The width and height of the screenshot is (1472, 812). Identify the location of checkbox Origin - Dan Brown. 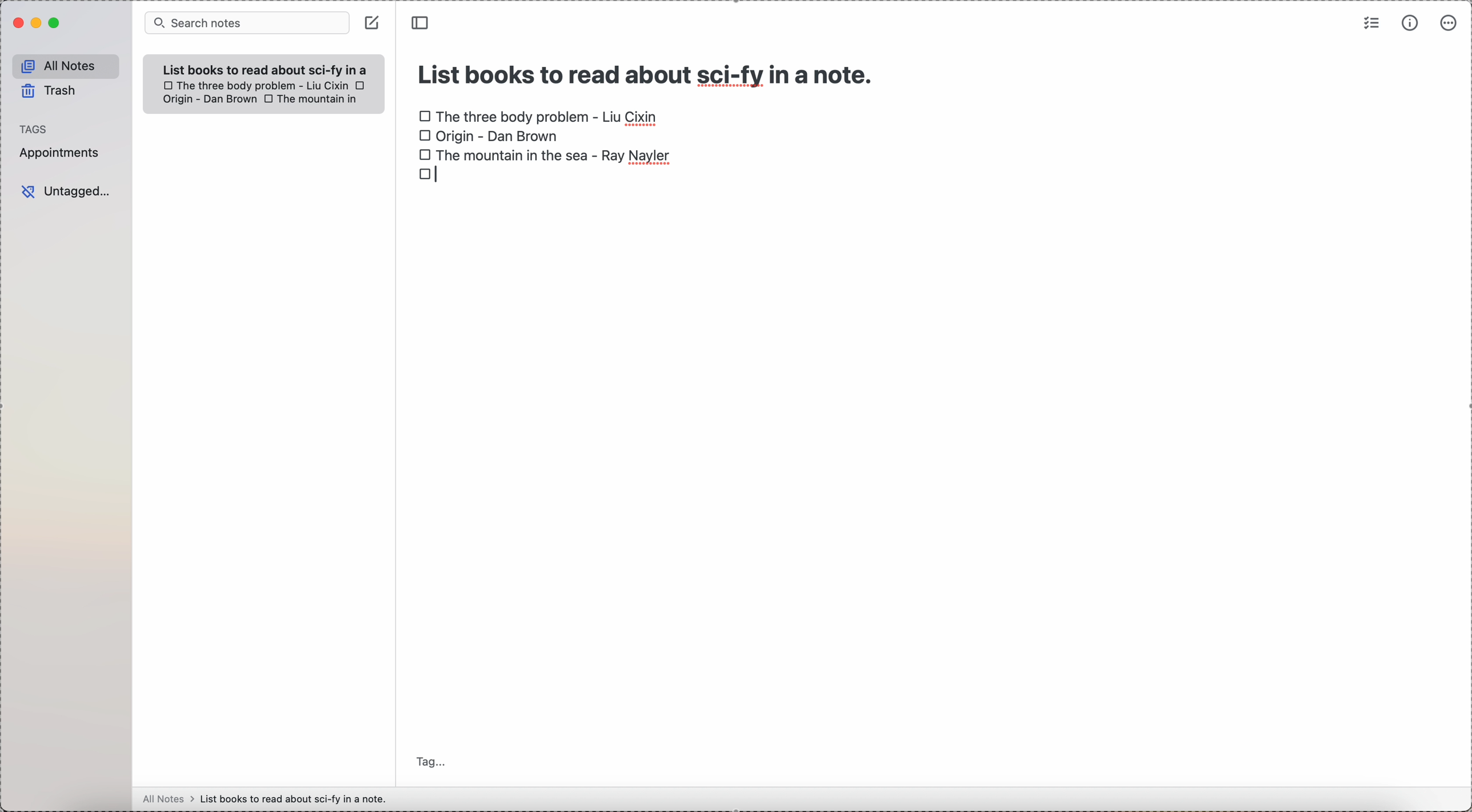
(489, 137).